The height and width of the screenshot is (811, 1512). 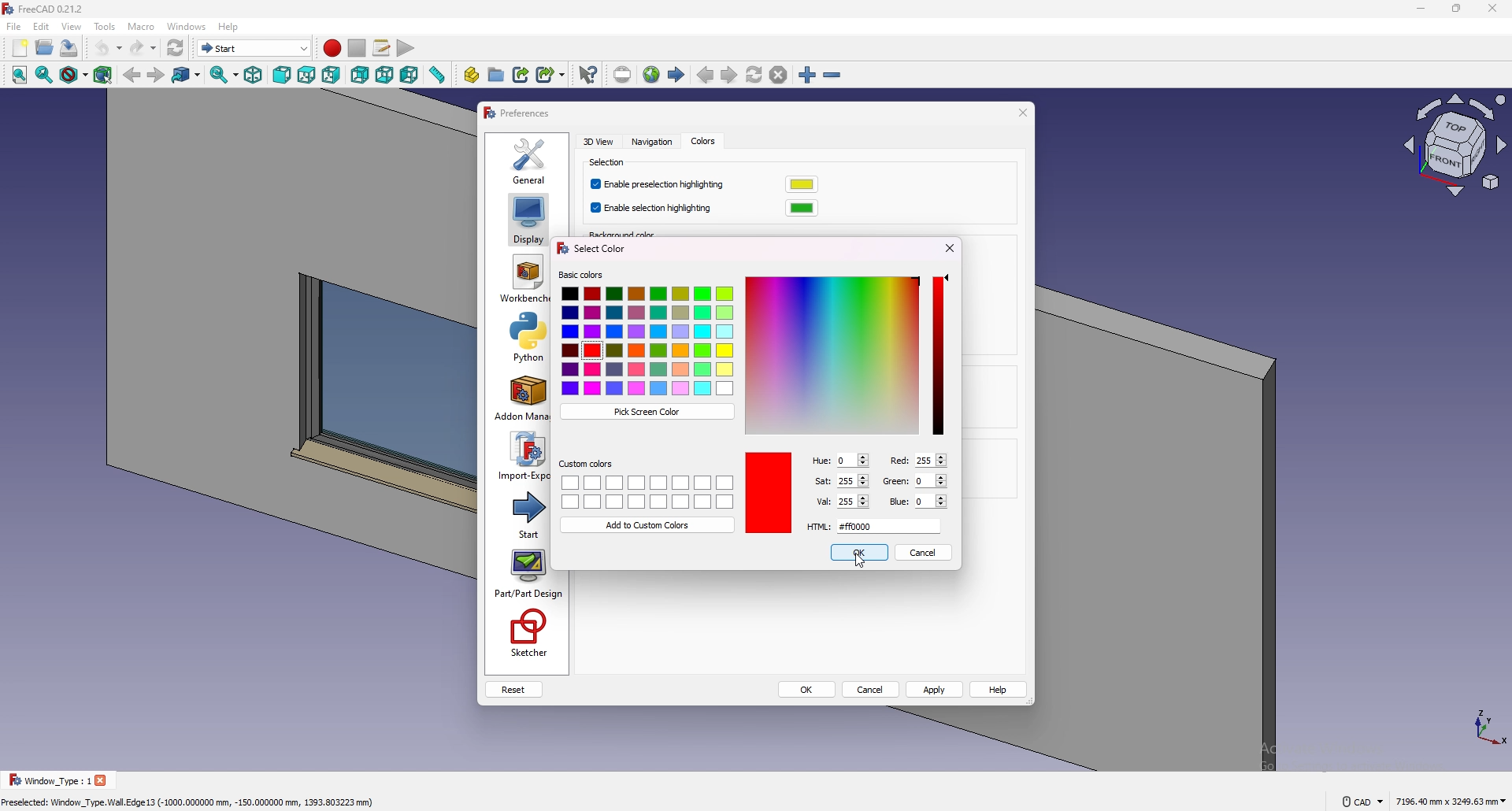 I want to click on preferences, so click(x=518, y=113).